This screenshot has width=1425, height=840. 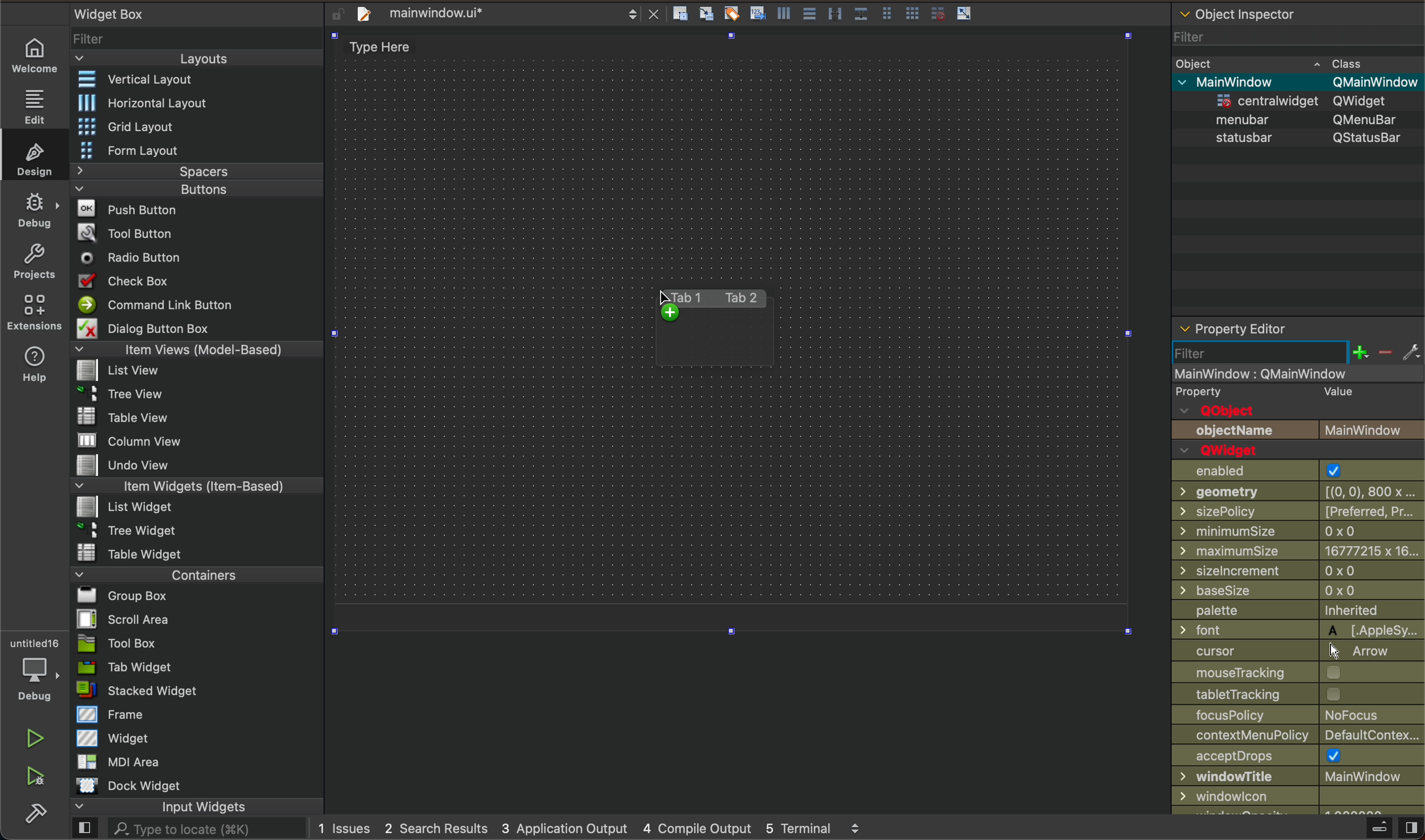 What do you see at coordinates (1389, 828) in the screenshot?
I see `close sidebar` at bounding box center [1389, 828].